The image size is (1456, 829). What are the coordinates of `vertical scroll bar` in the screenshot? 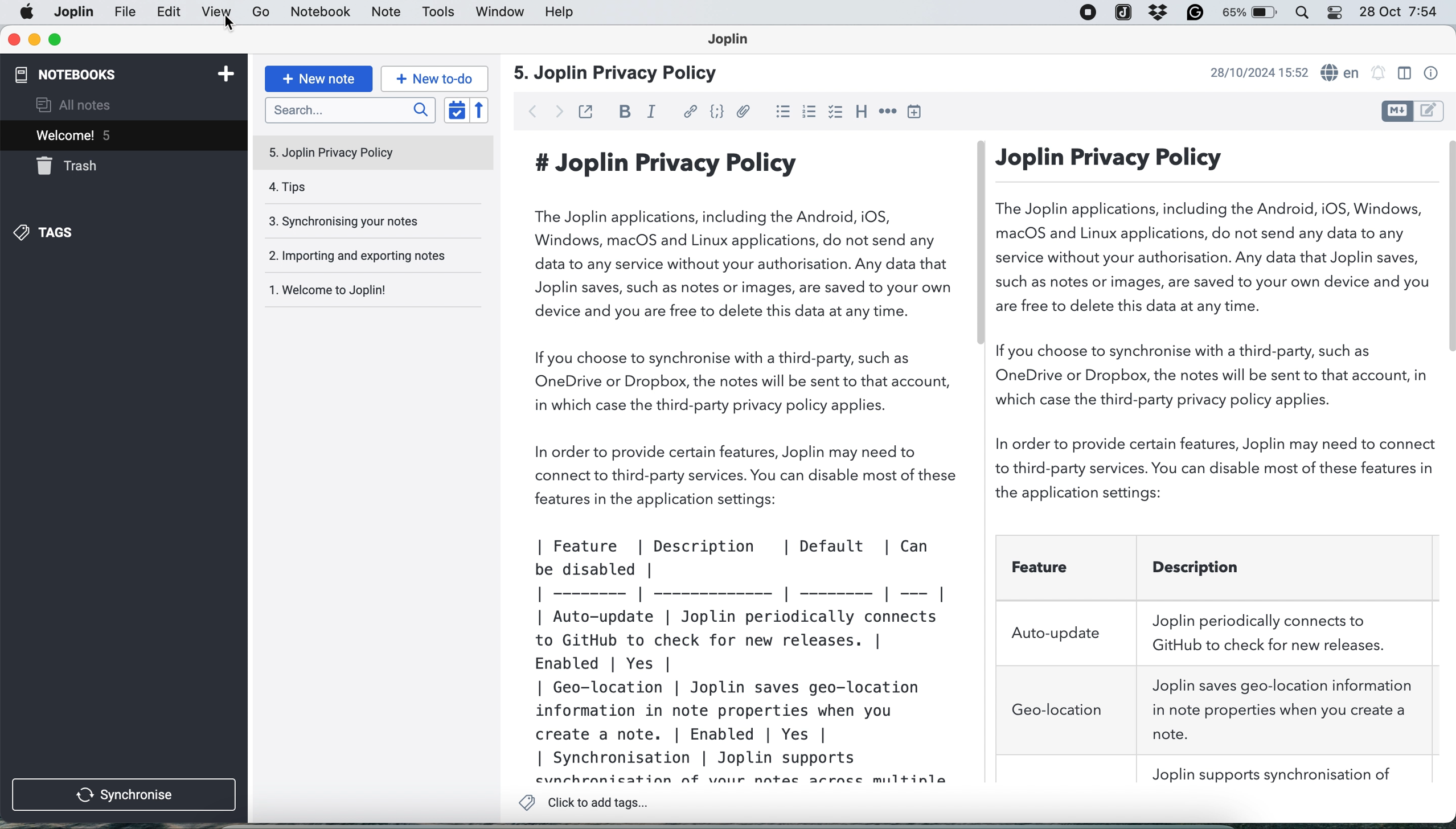 It's located at (1447, 247).